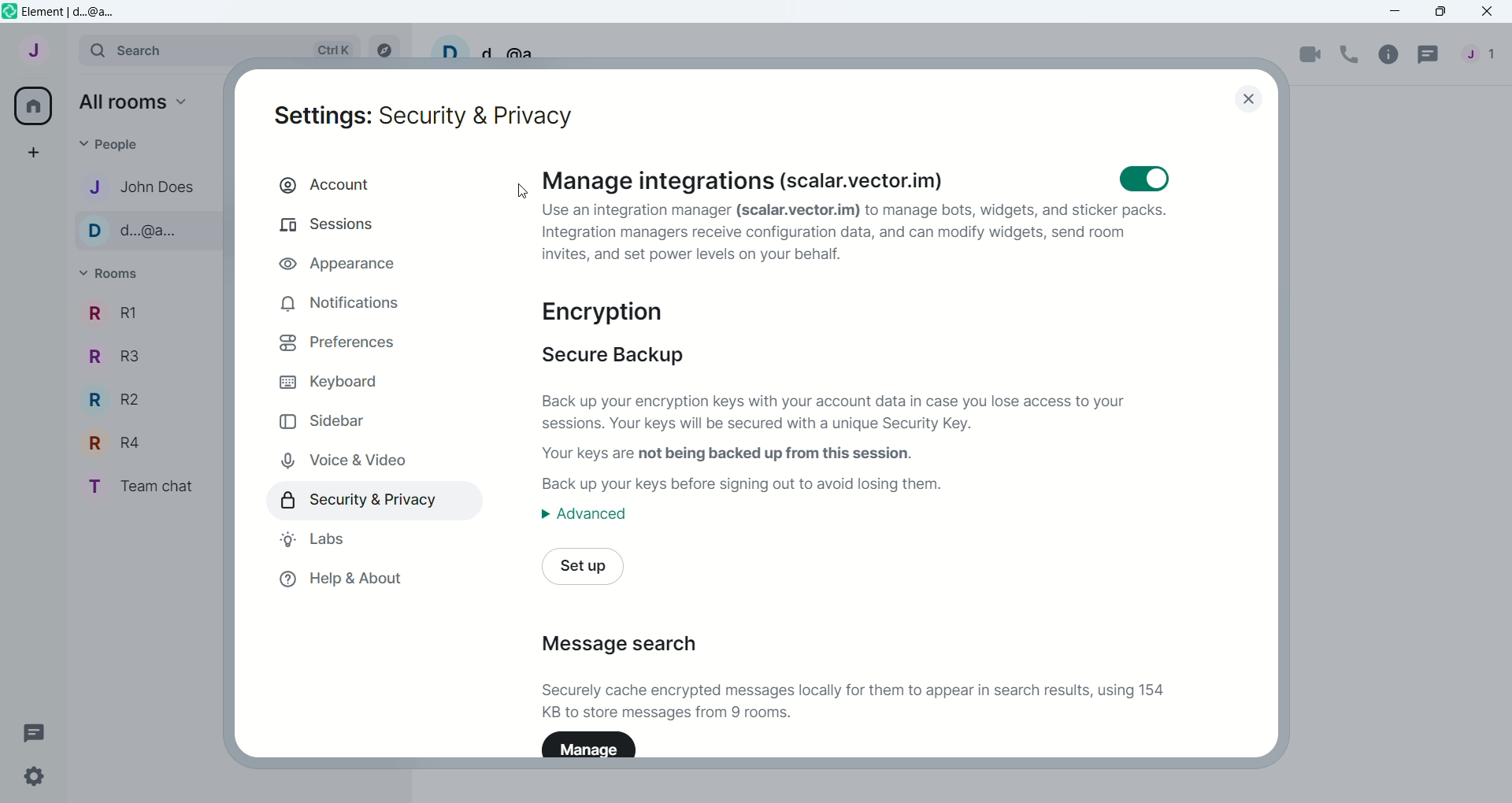 Image resolution: width=1512 pixels, height=803 pixels. What do you see at coordinates (386, 50) in the screenshot?
I see `explore rooms` at bounding box center [386, 50].